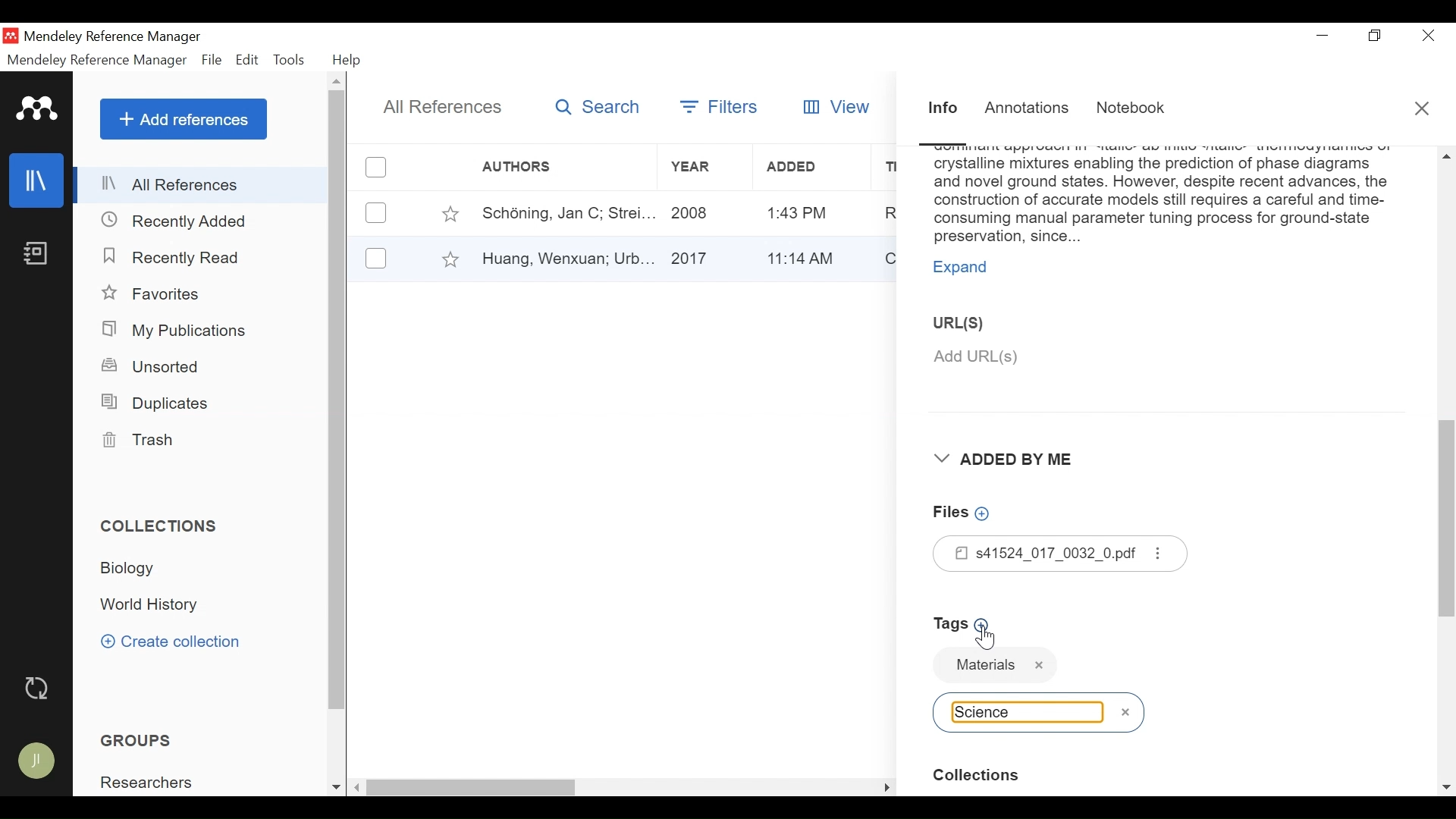 Image resolution: width=1456 pixels, height=819 pixels. What do you see at coordinates (1134, 108) in the screenshot?
I see `Notebook` at bounding box center [1134, 108].